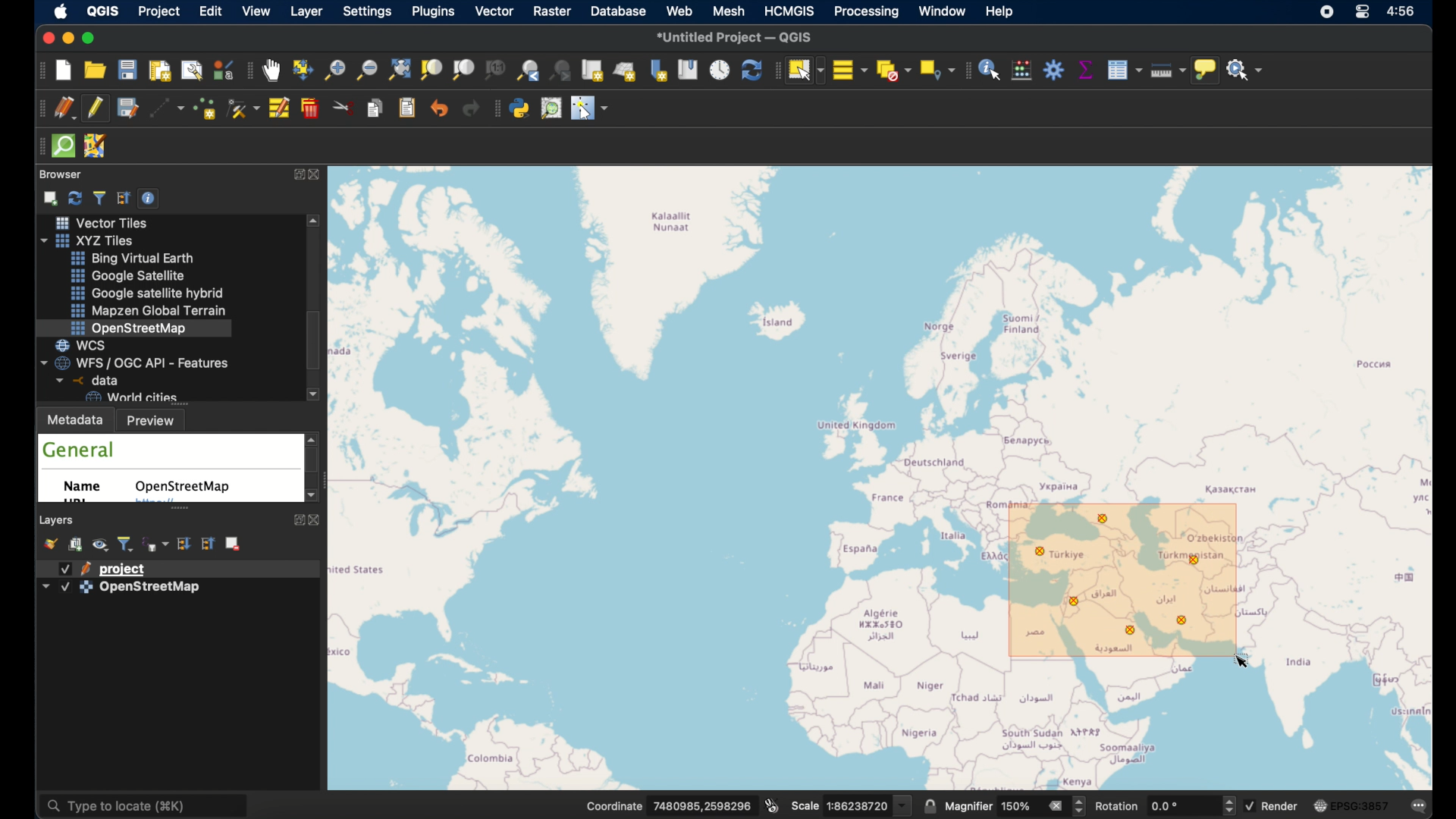  I want to click on cursor, so click(1245, 661).